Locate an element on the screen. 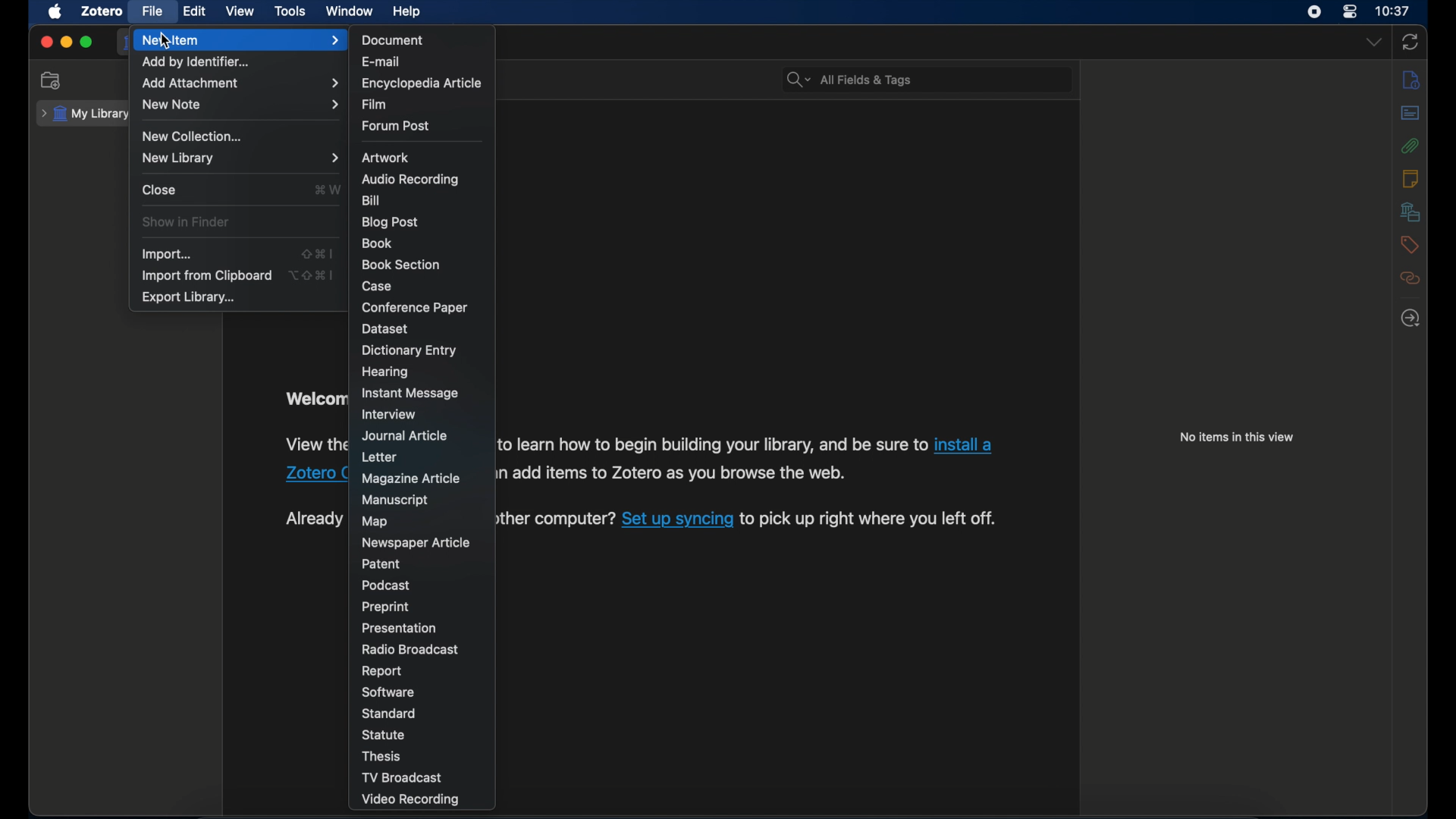 The width and height of the screenshot is (1456, 819). file is located at coordinates (153, 12).